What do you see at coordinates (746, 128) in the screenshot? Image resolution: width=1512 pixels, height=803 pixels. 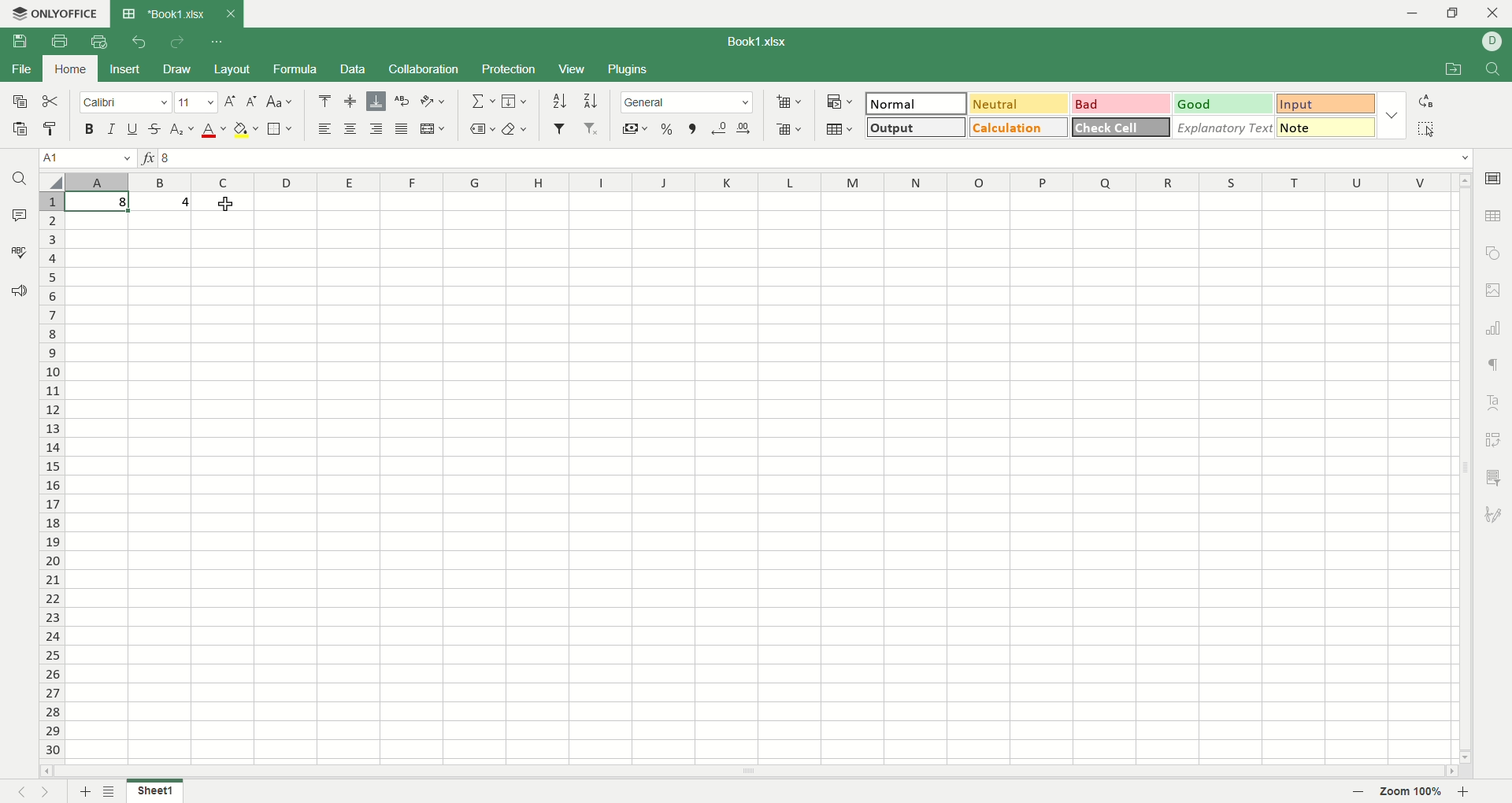 I see `increase decimal` at bounding box center [746, 128].